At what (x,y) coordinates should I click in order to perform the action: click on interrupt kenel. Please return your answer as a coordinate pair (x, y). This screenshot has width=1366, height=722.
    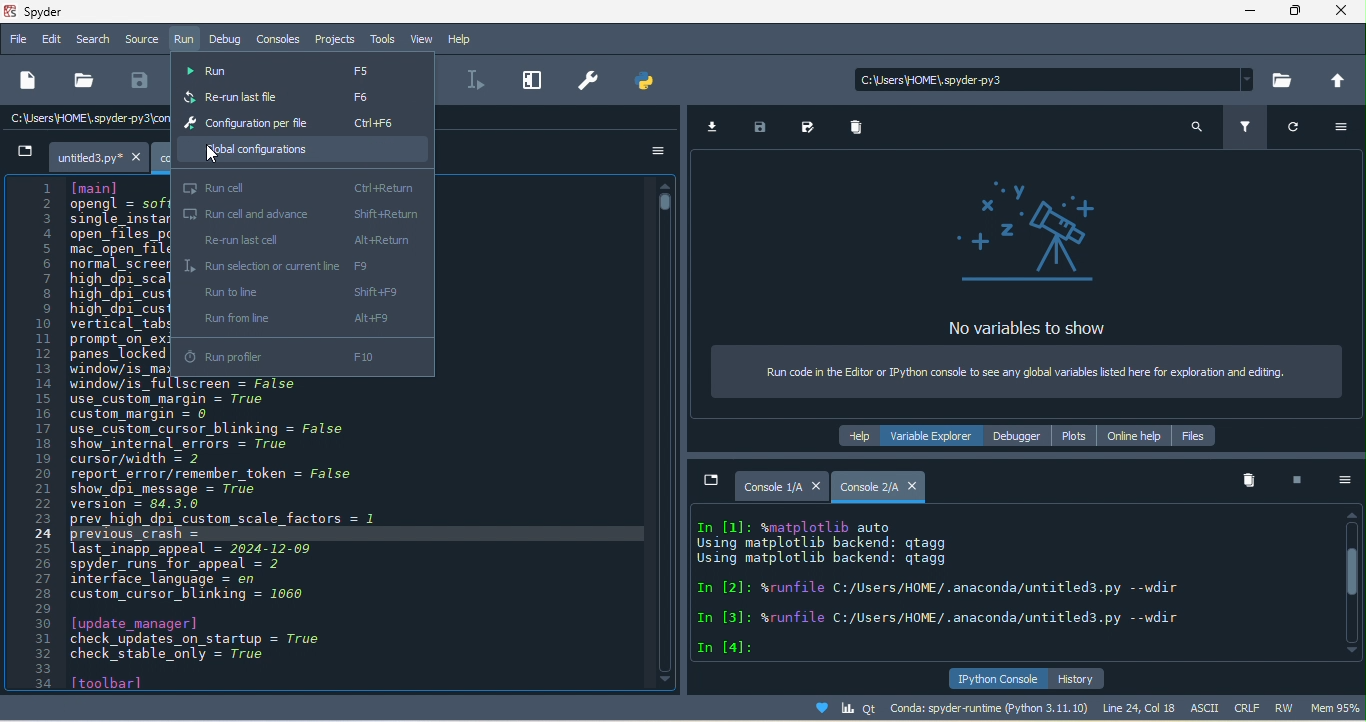
    Looking at the image, I should click on (1289, 483).